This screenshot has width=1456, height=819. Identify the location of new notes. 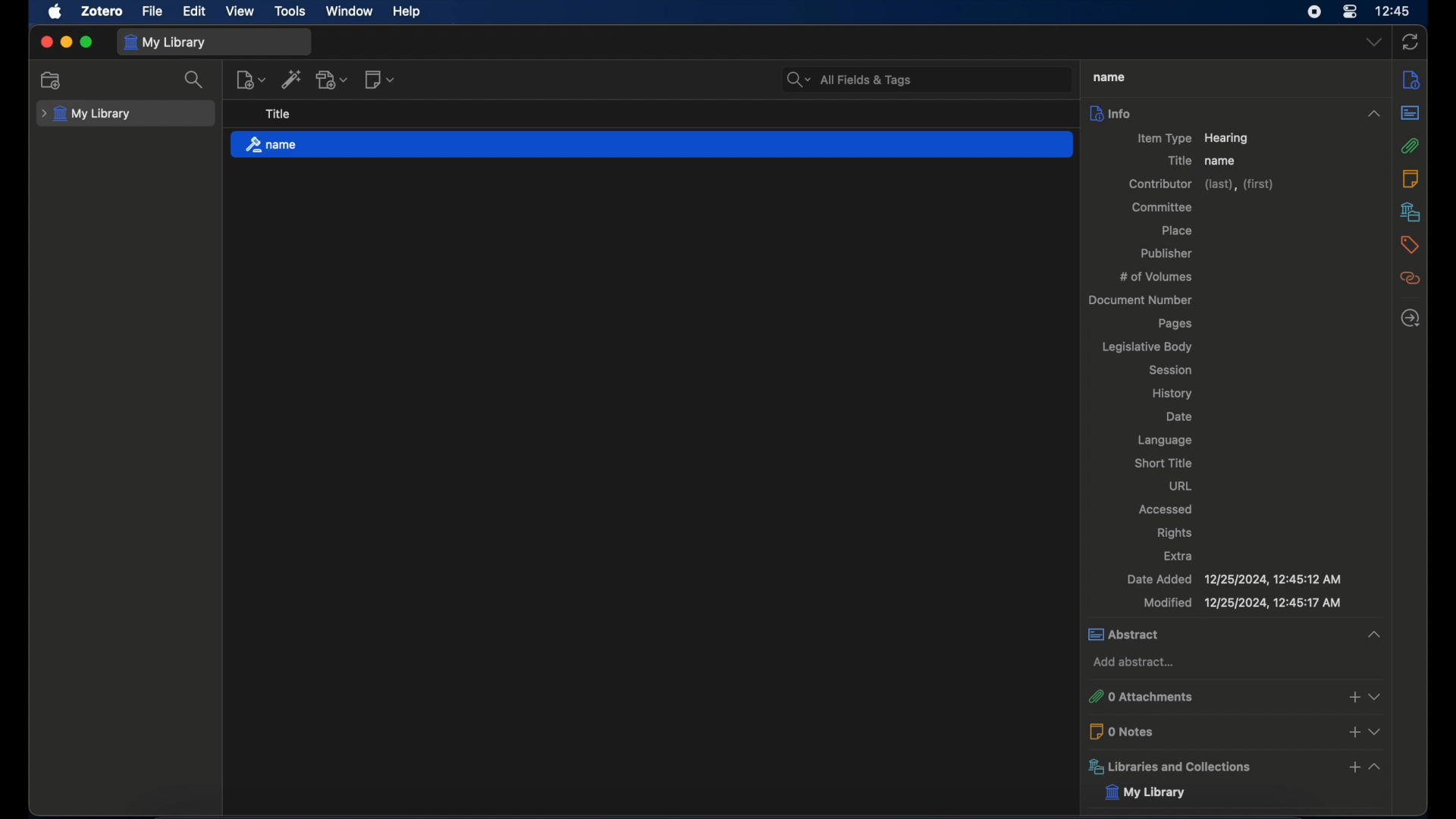
(381, 79).